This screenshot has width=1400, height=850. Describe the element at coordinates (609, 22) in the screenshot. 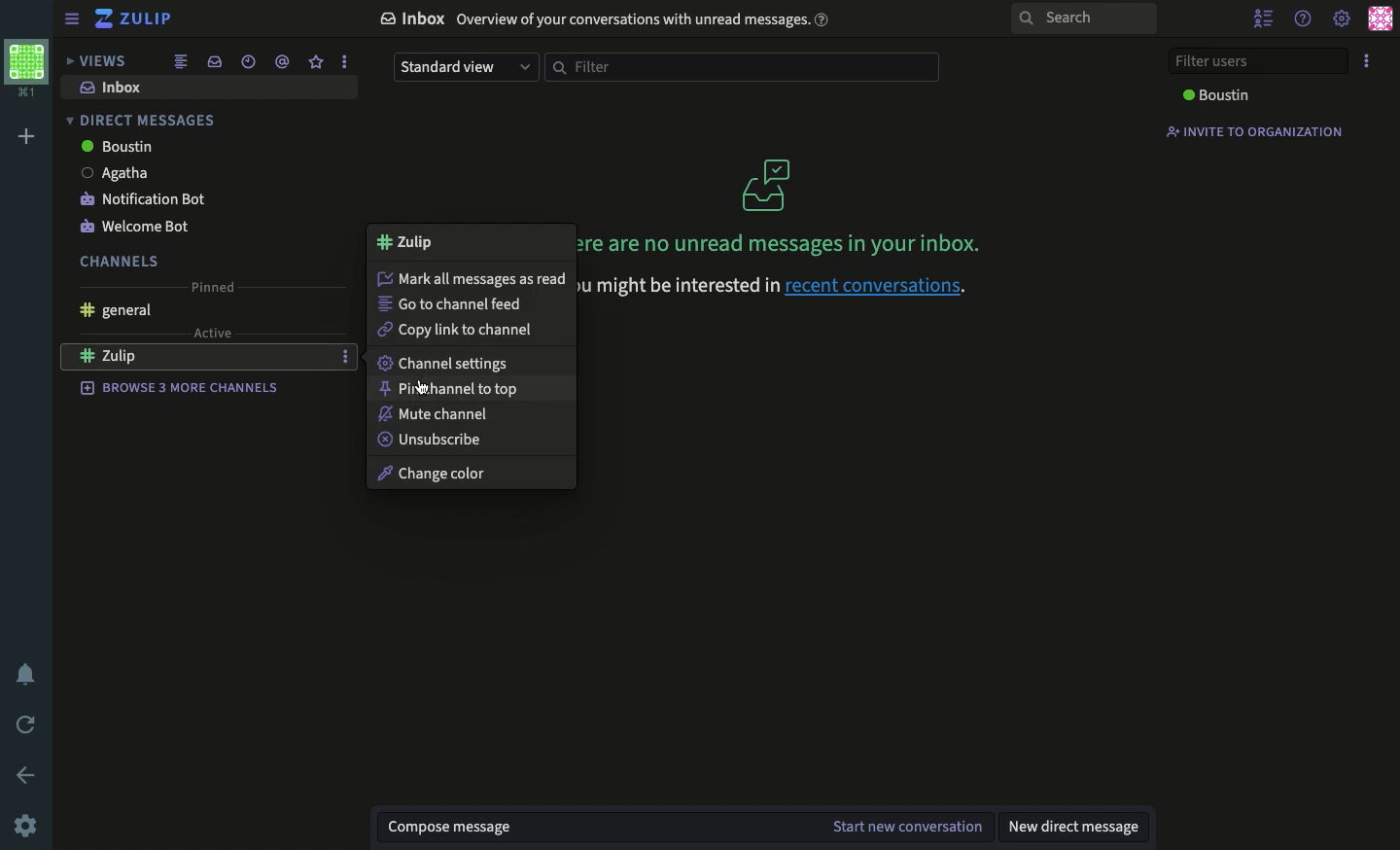

I see ` Inbox Overview of your conversations with unread messages.` at that location.